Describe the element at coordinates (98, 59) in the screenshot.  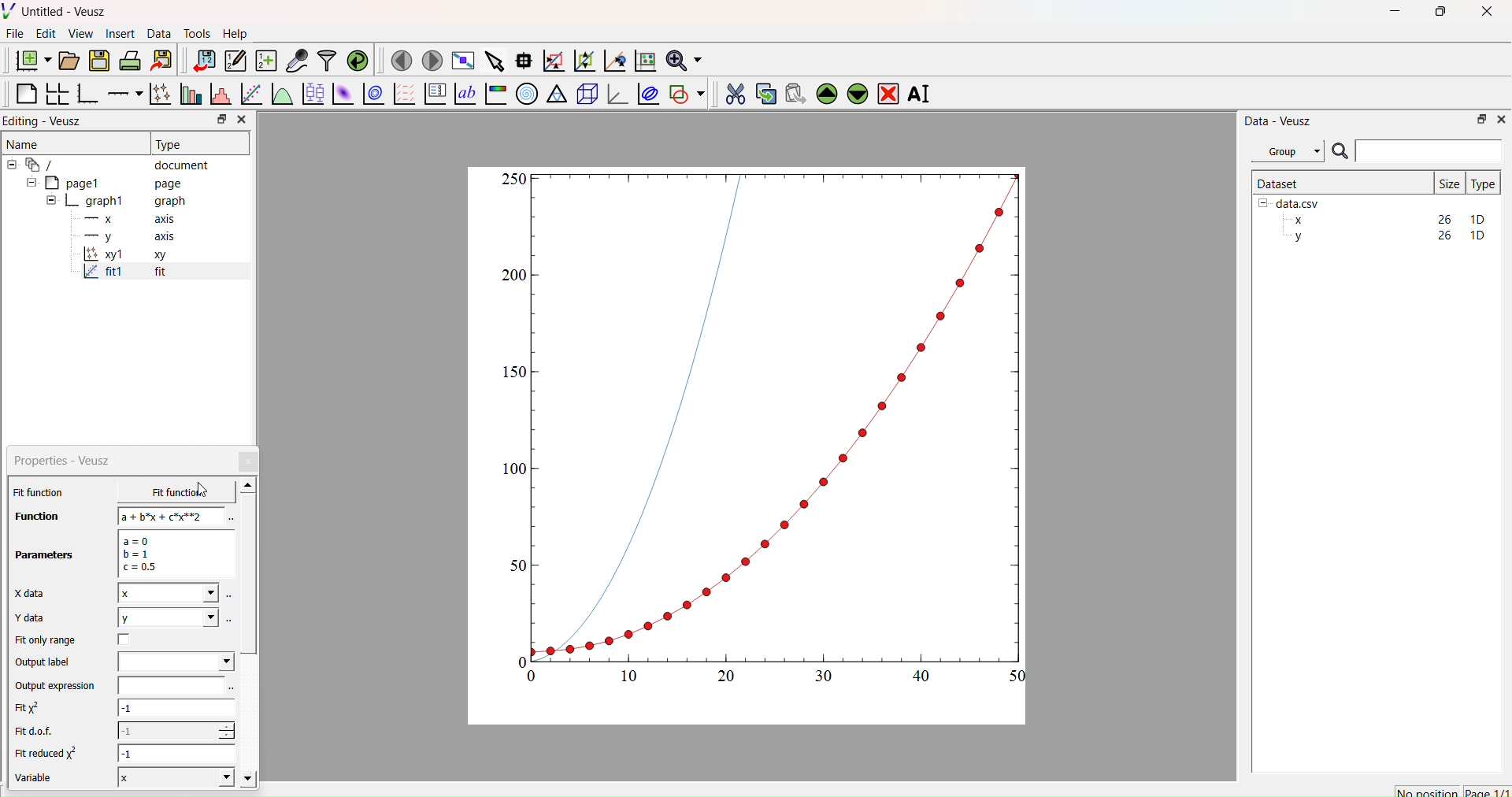
I see `Save` at that location.